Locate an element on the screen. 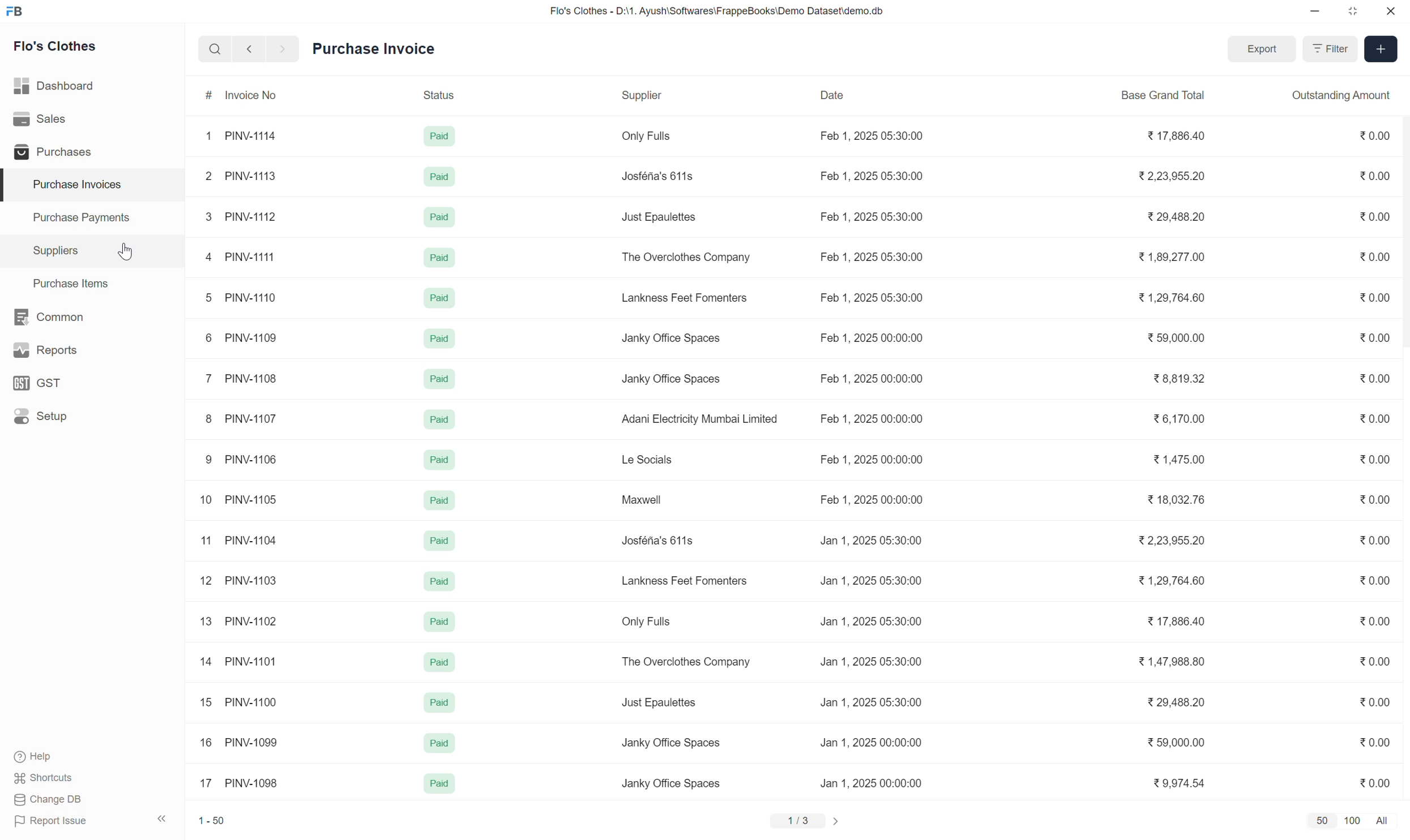 The image size is (1410, 840). The Overclothes Company is located at coordinates (686, 257).